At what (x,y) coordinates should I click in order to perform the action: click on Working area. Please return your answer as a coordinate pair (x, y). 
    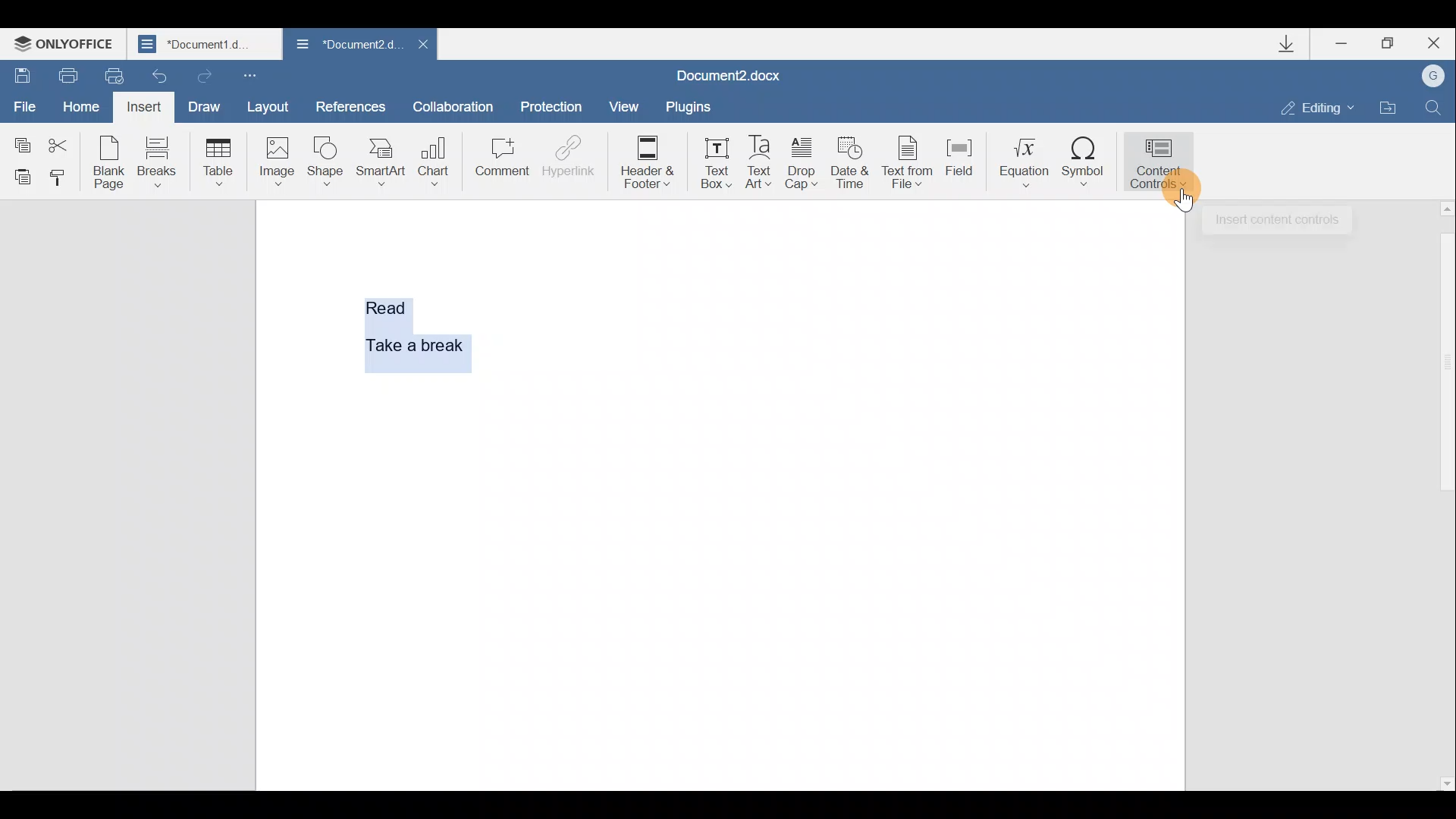
    Looking at the image, I should click on (833, 493).